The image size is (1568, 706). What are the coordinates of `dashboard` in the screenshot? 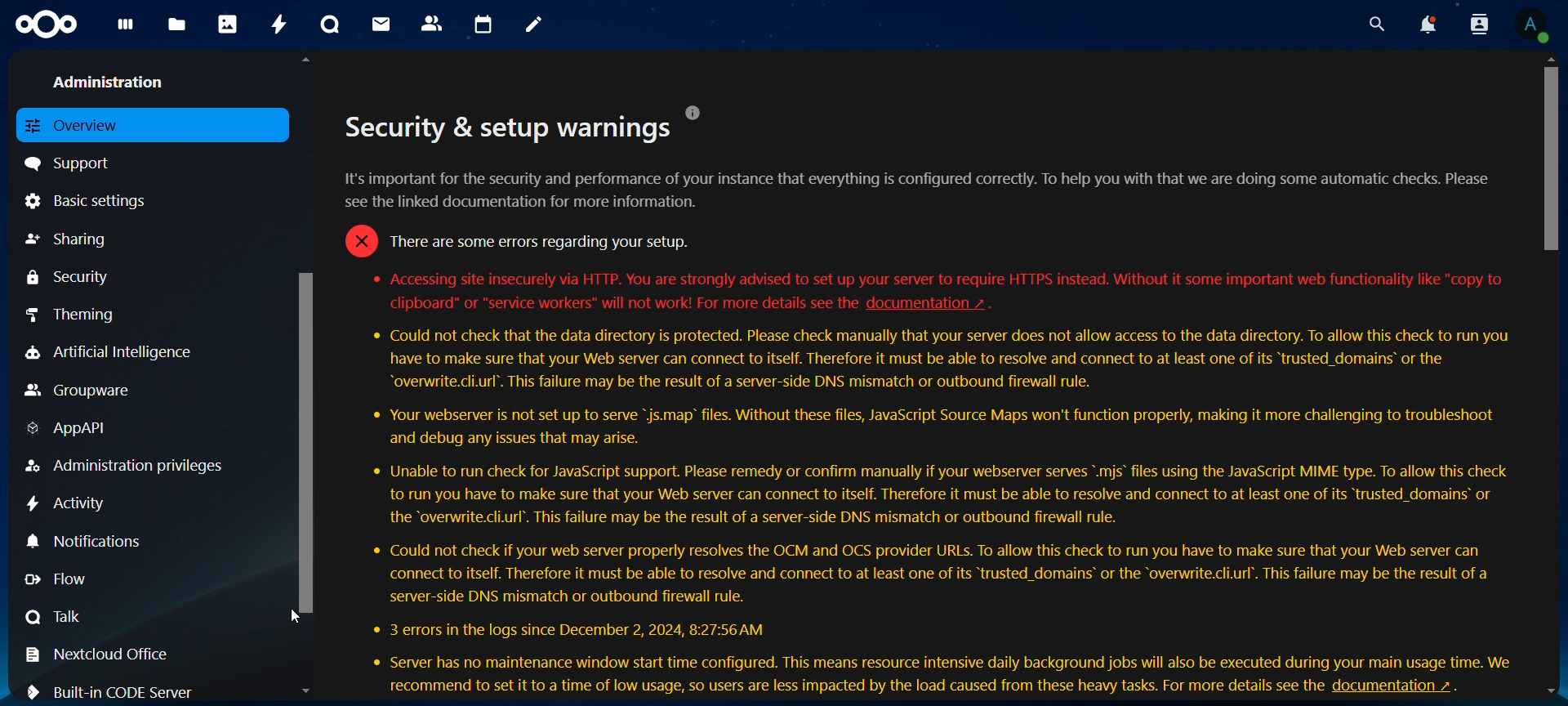 It's located at (127, 29).